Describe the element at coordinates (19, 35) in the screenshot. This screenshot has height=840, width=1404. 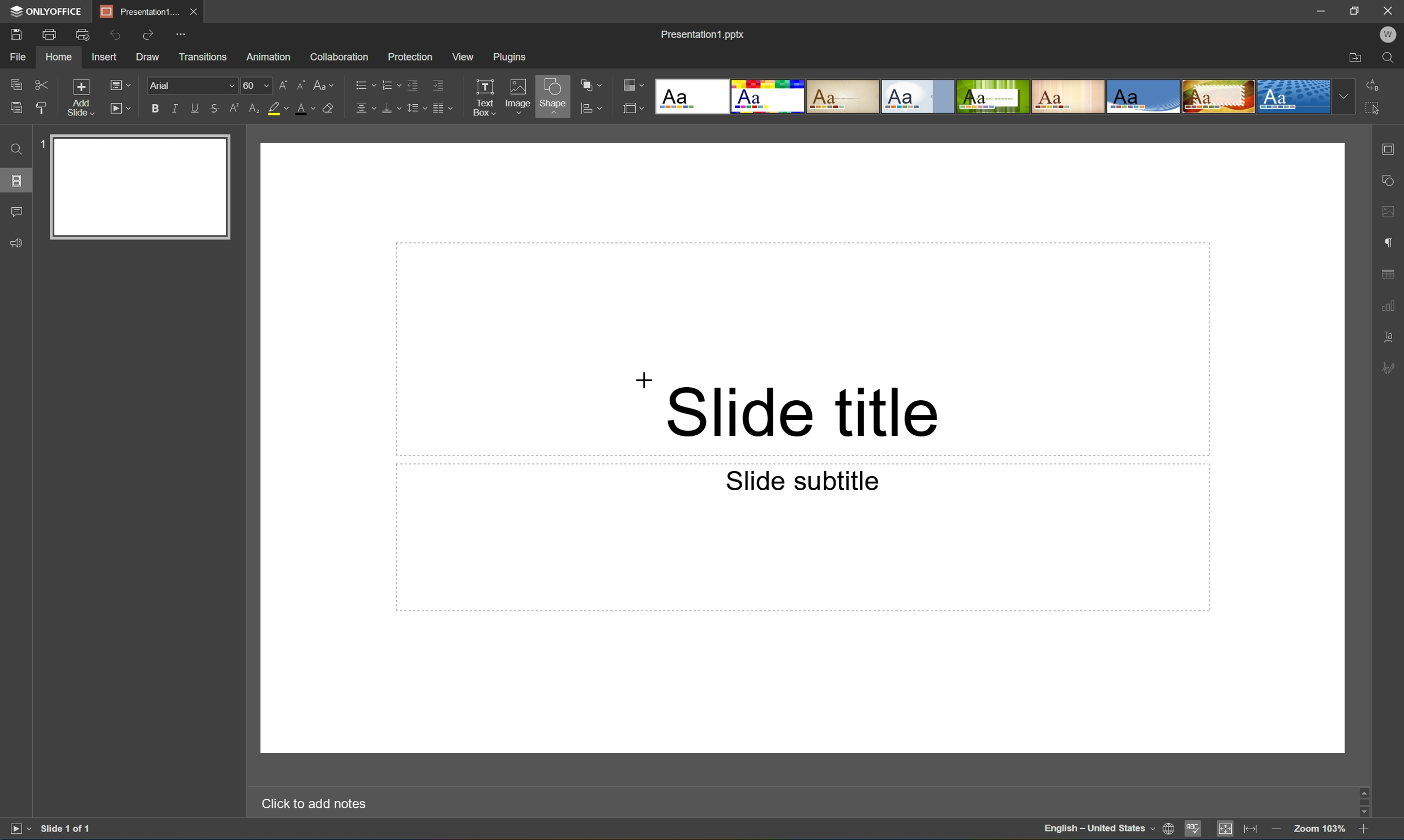
I see `Save` at that location.